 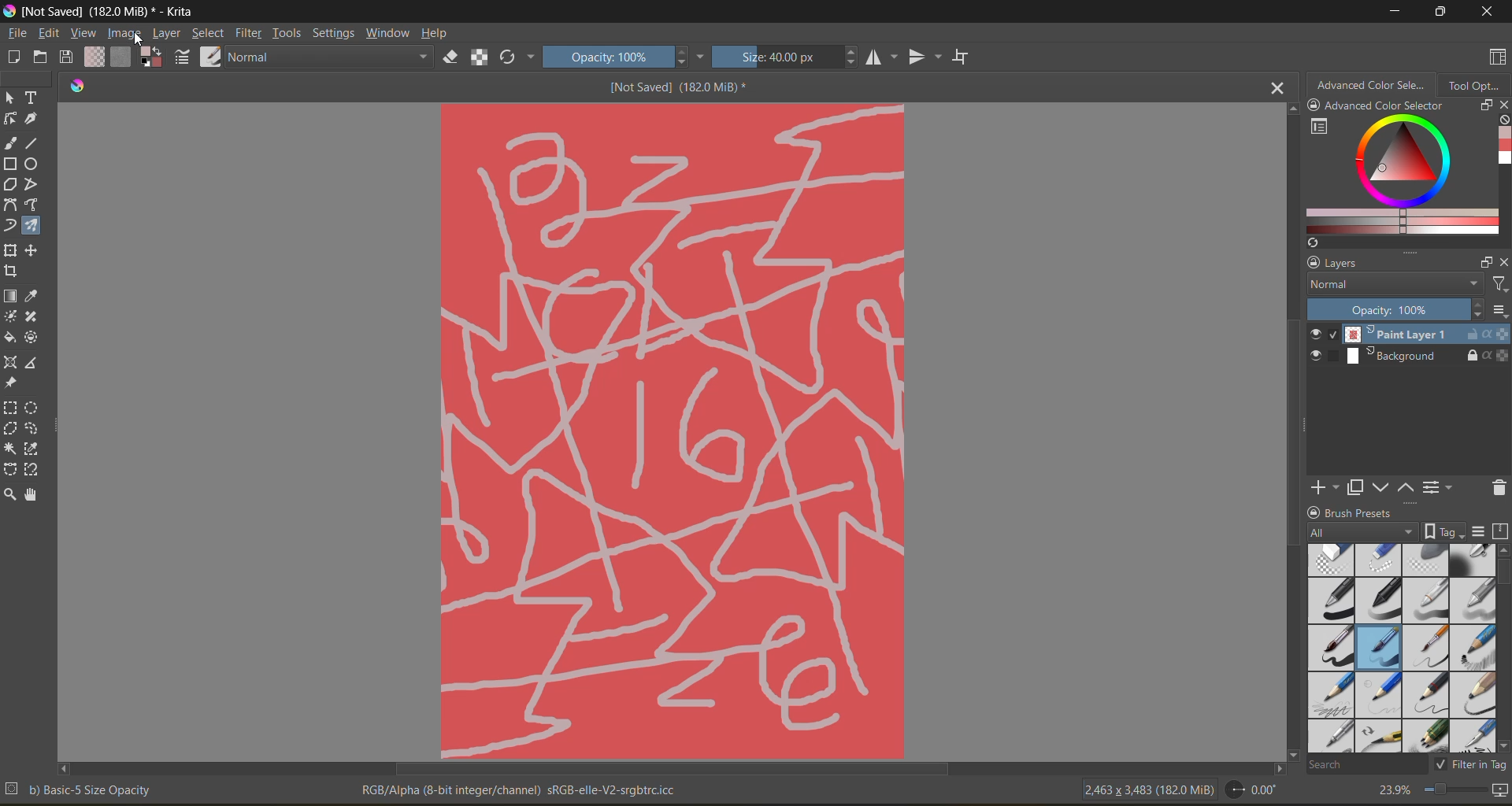 I want to click on window, so click(x=391, y=35).